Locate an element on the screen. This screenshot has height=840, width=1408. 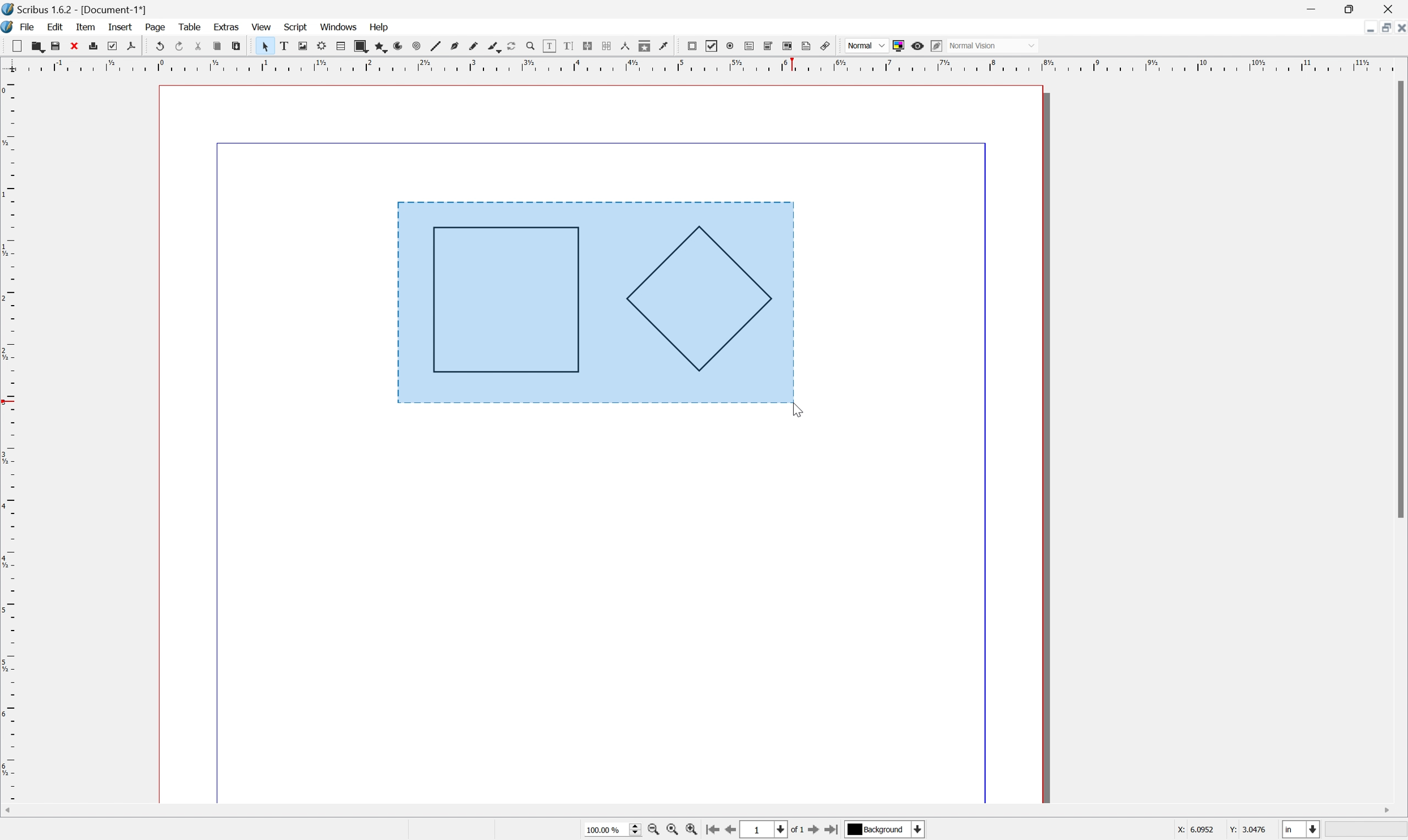
unlink text frames is located at coordinates (605, 46).